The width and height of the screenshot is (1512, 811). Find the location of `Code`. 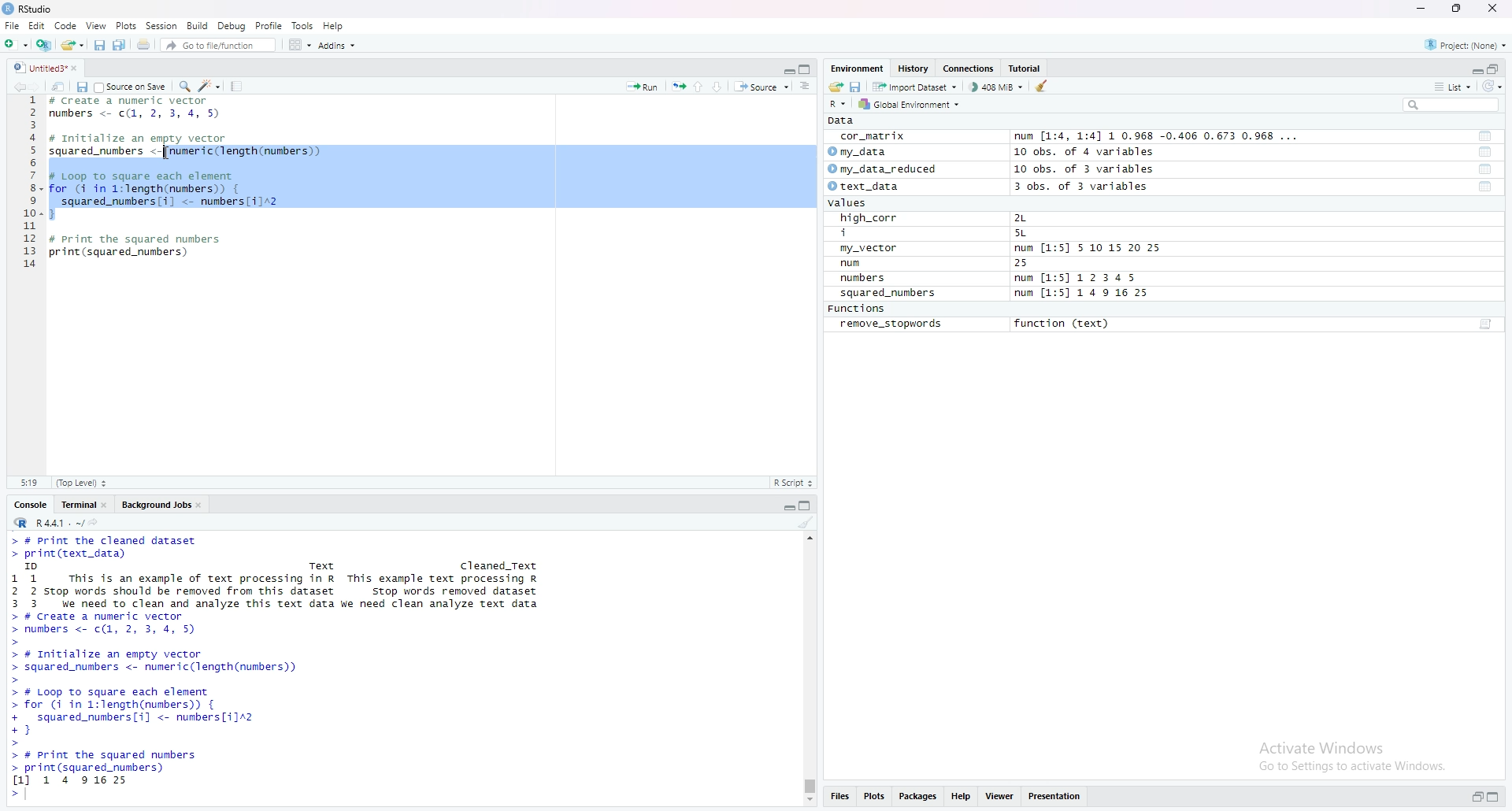

Code is located at coordinates (66, 25).